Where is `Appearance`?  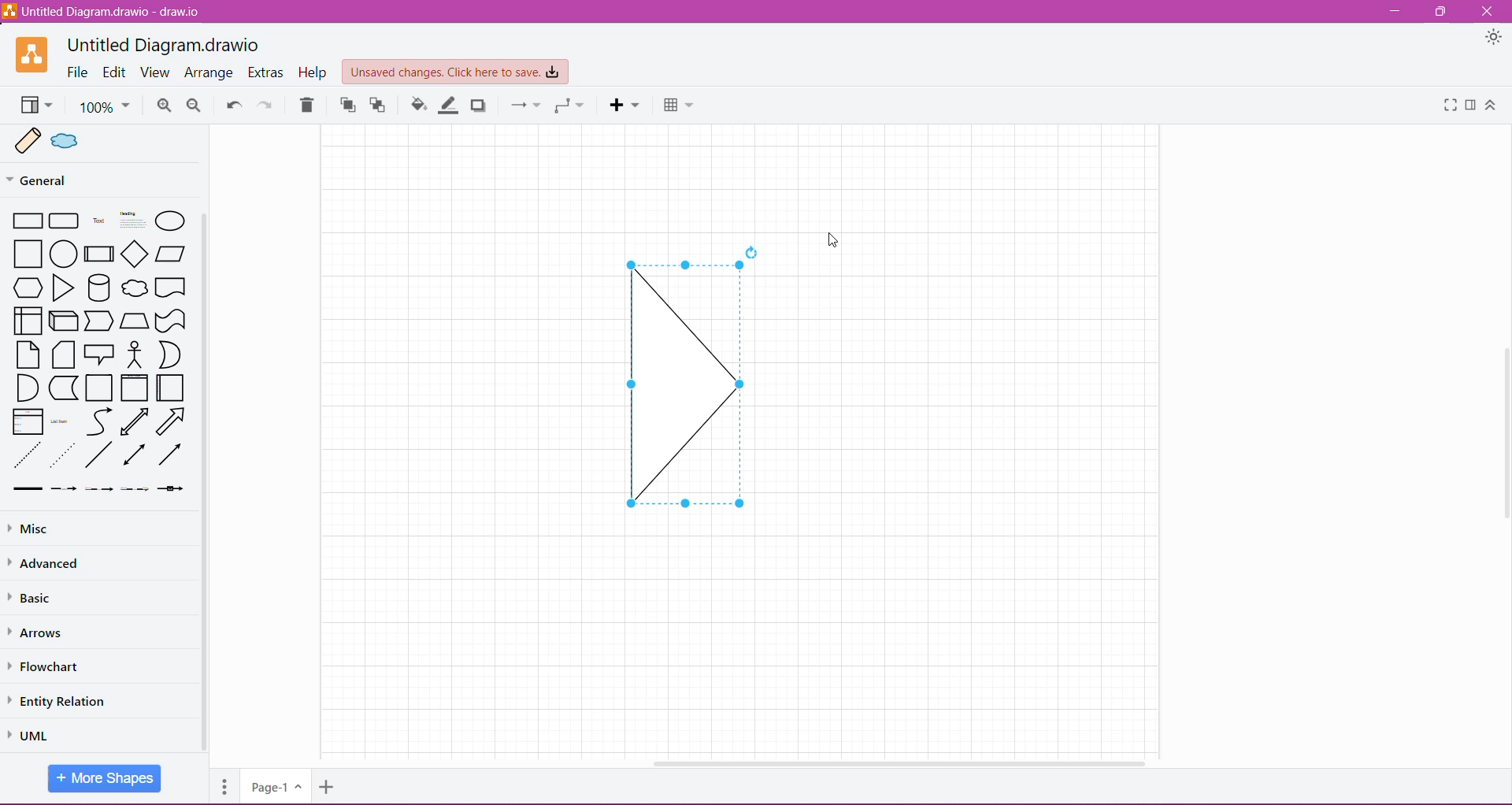
Appearance is located at coordinates (1493, 39).